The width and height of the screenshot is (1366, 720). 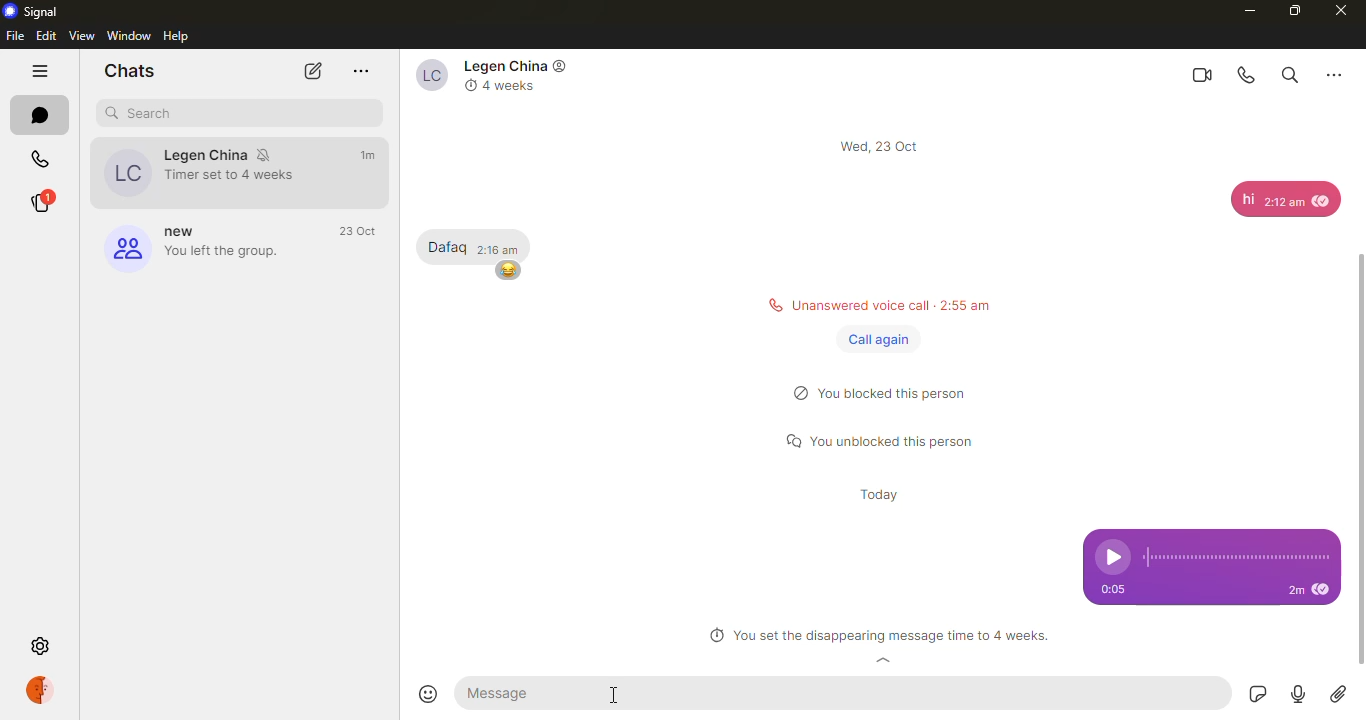 What do you see at coordinates (39, 203) in the screenshot?
I see `stories` at bounding box center [39, 203].